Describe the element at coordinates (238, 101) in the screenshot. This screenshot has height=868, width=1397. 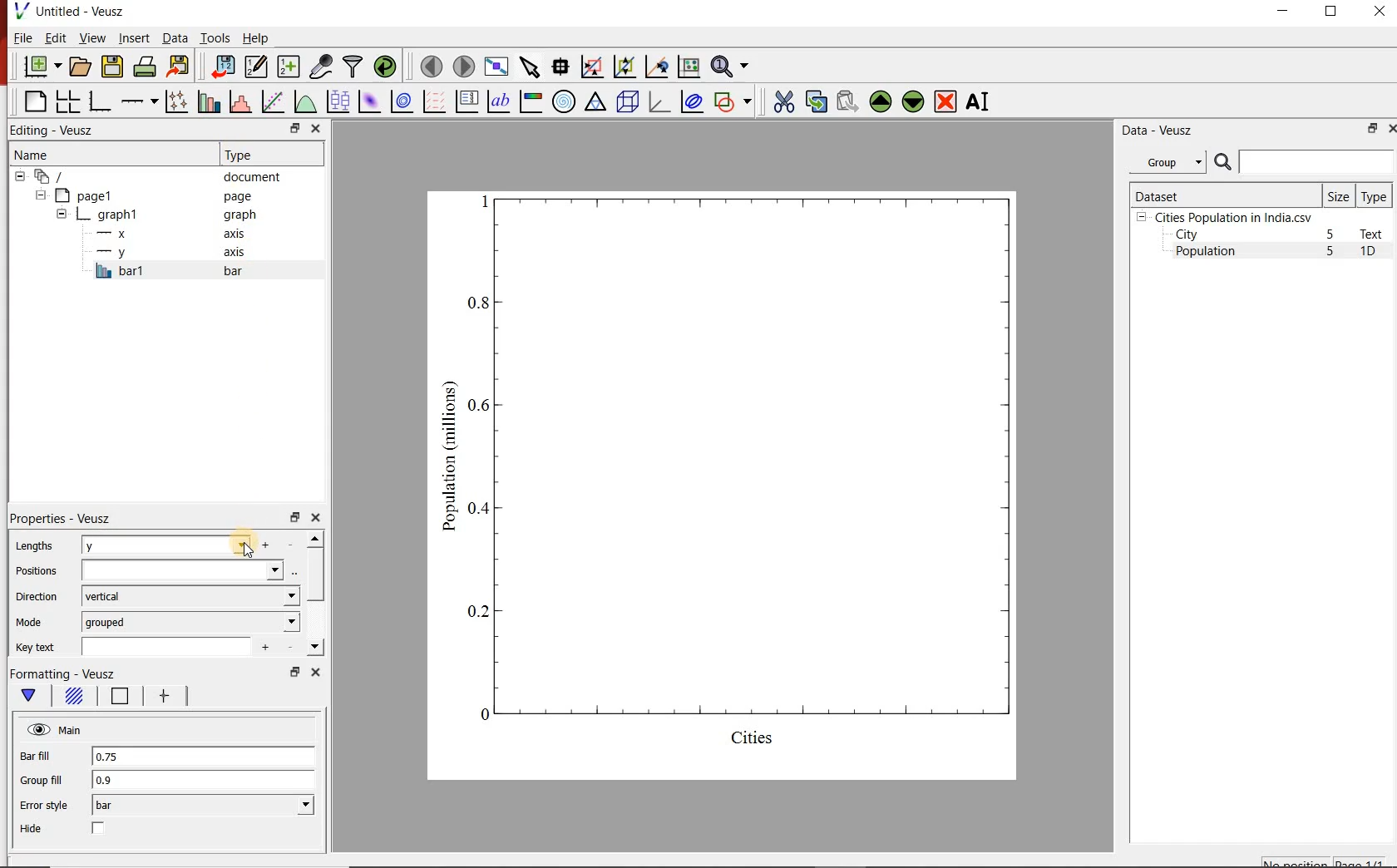
I see `histogram of a dataset` at that location.